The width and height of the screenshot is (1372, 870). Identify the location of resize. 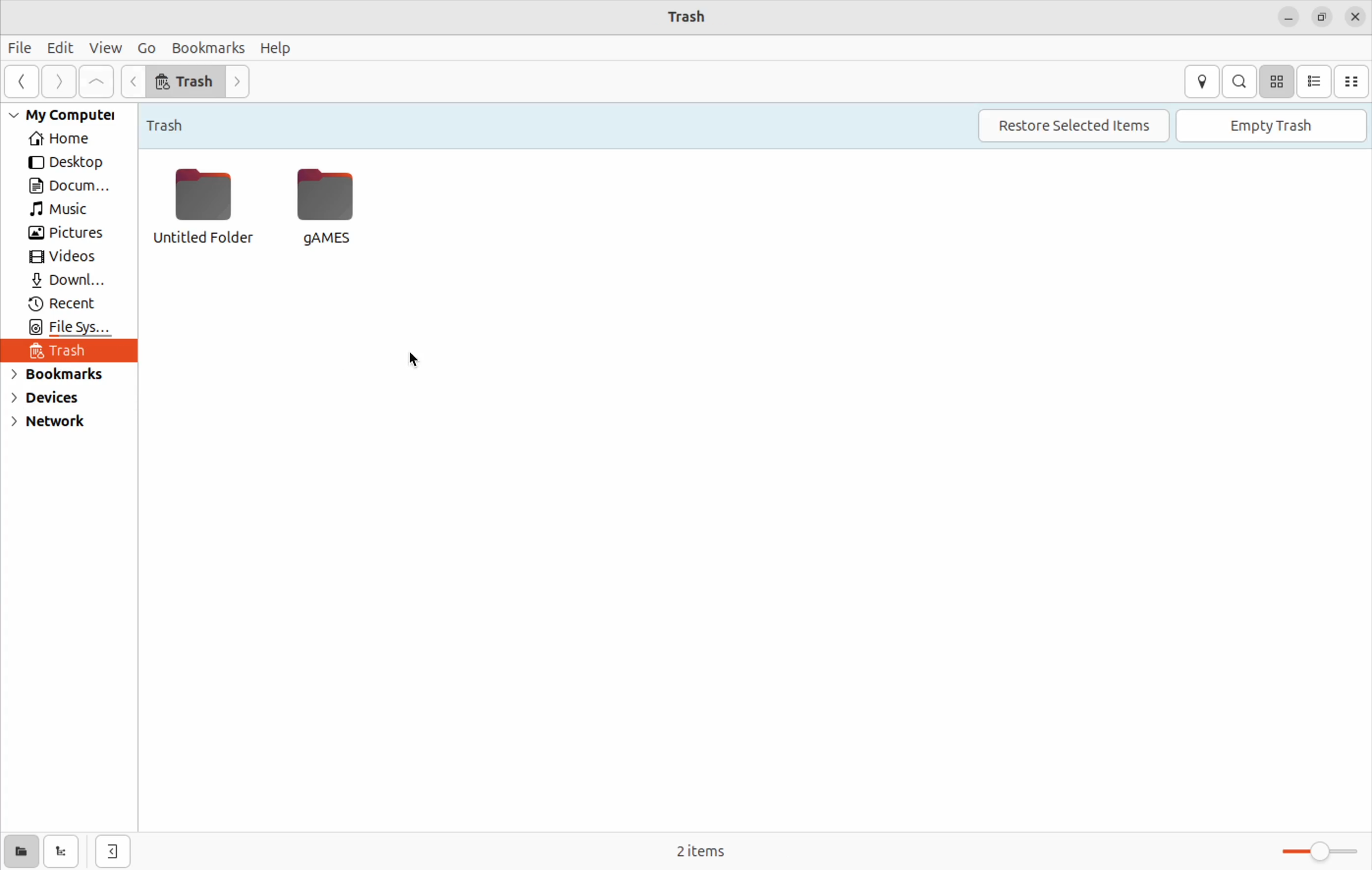
(1322, 18).